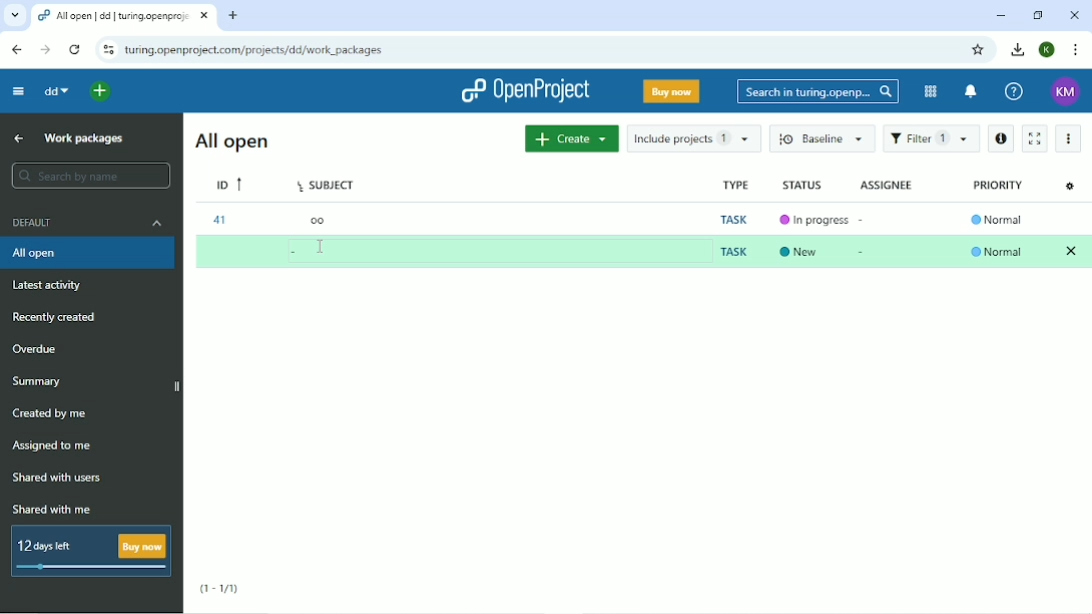  Describe the element at coordinates (823, 139) in the screenshot. I see `Baseline` at that location.